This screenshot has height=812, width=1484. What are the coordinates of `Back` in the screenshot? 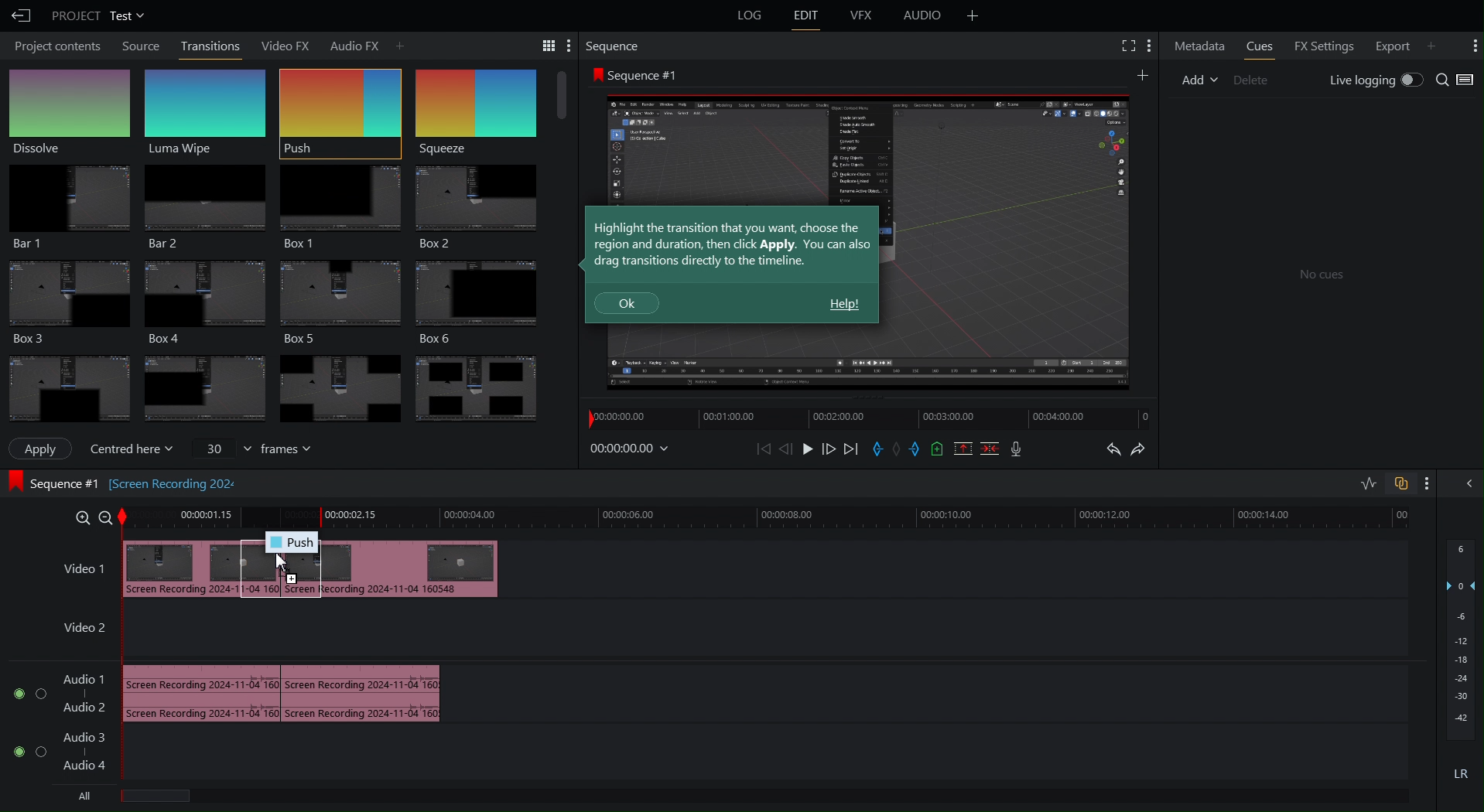 It's located at (19, 15).